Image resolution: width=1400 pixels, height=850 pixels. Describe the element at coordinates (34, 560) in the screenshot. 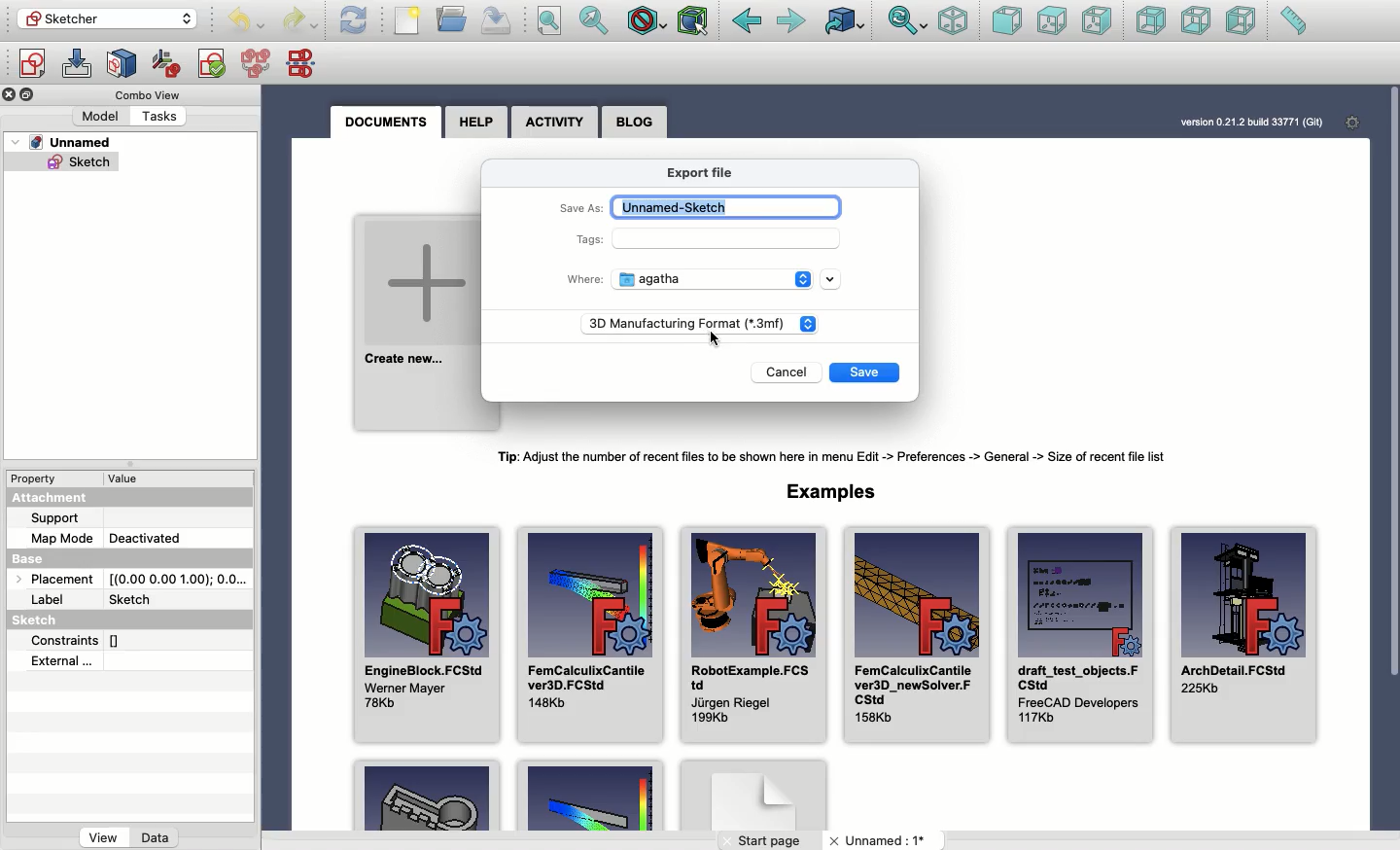

I see `Base` at that location.